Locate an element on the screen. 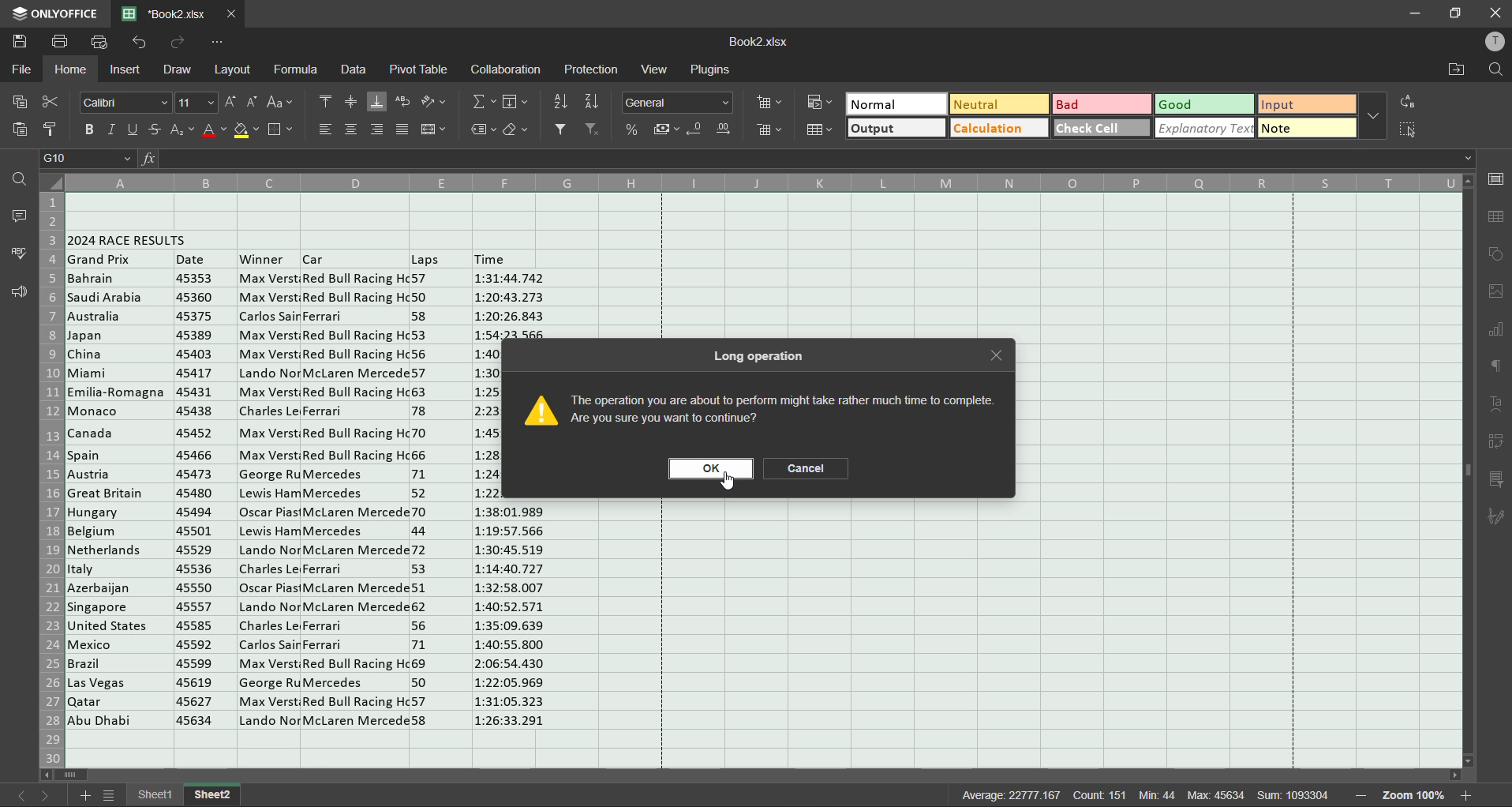  scrollbar is located at coordinates (1468, 471).